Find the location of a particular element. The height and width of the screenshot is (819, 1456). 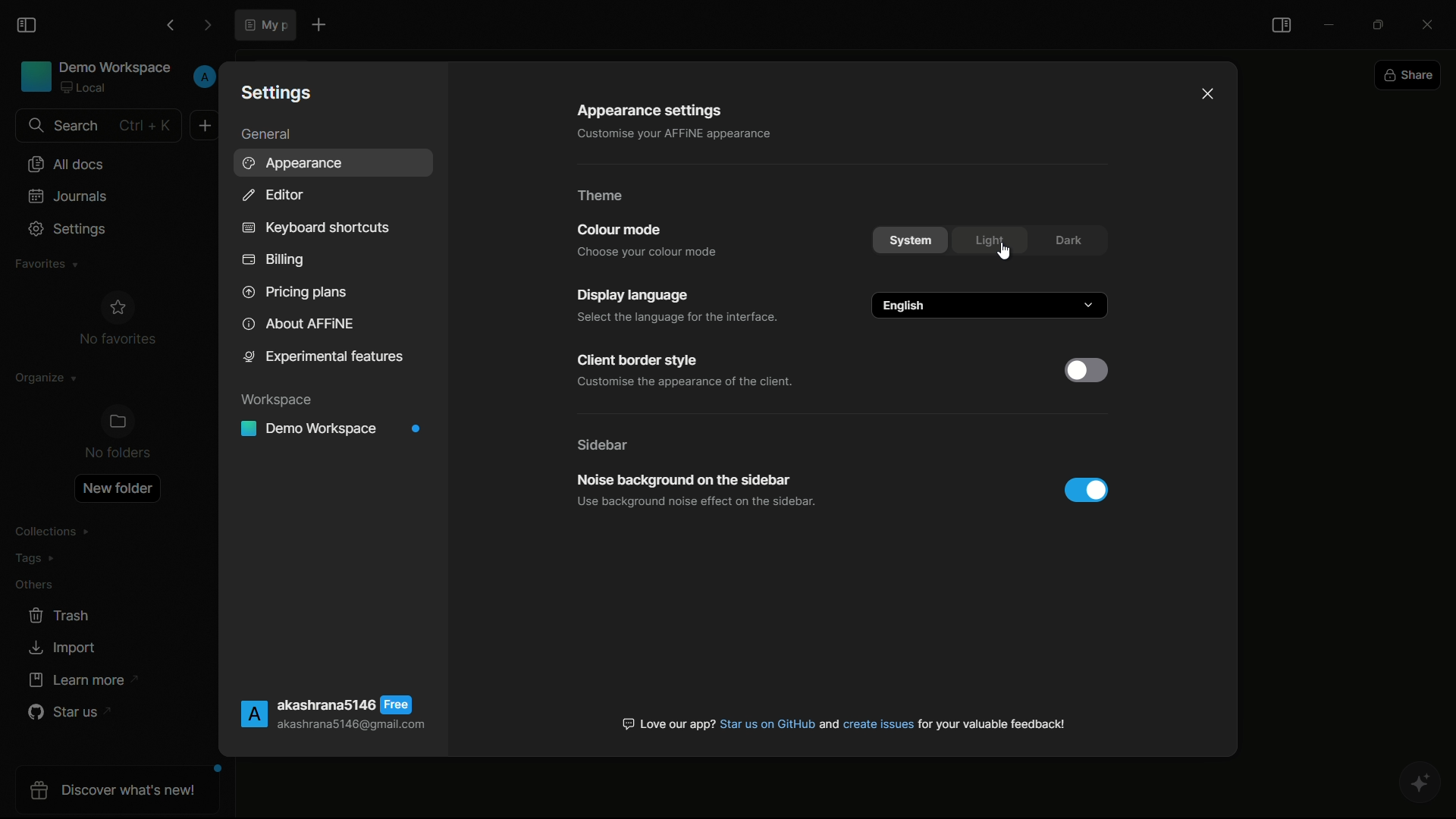

colour mode is located at coordinates (617, 230).